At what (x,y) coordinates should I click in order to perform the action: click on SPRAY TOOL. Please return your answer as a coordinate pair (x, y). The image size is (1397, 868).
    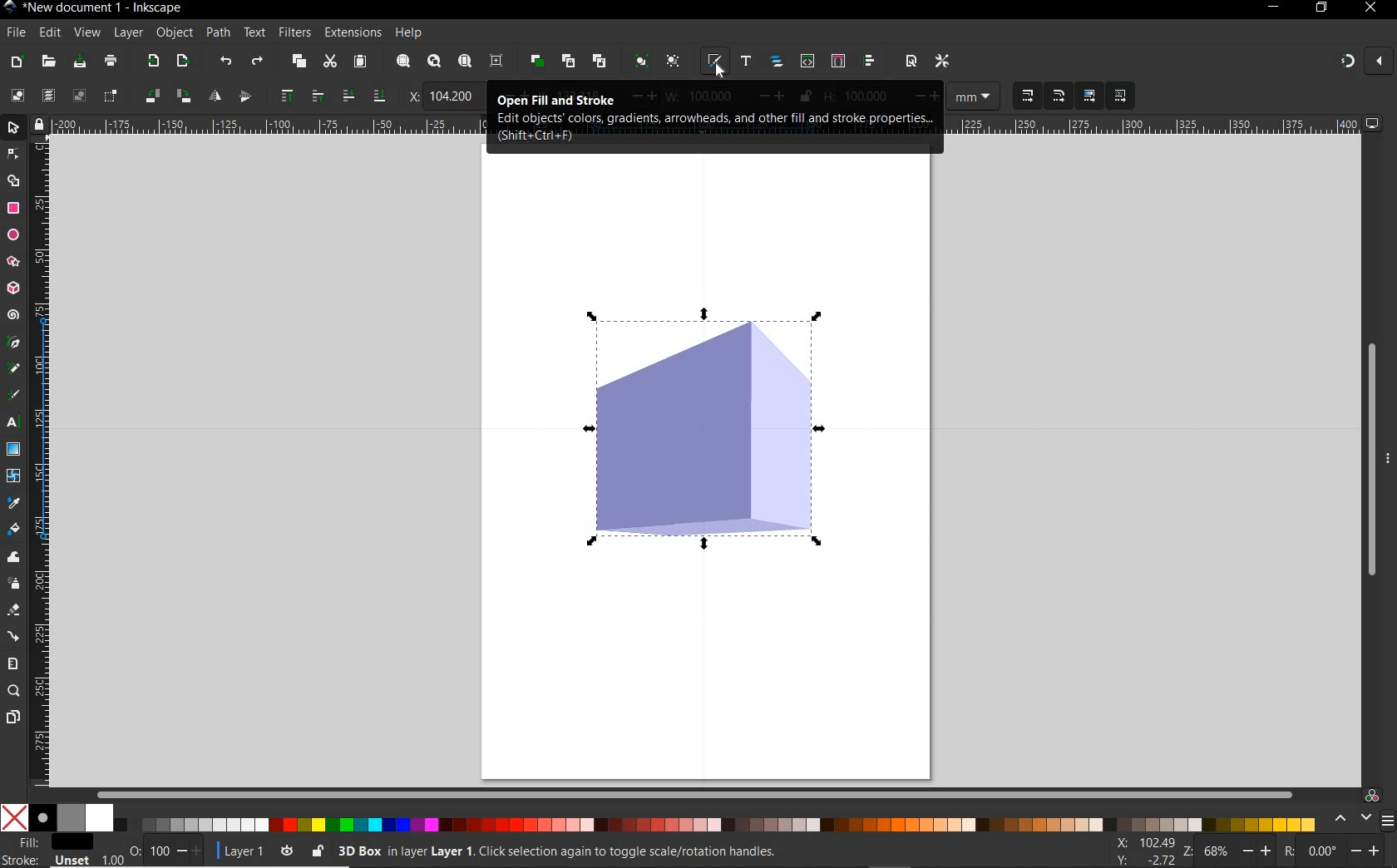
    Looking at the image, I should click on (14, 584).